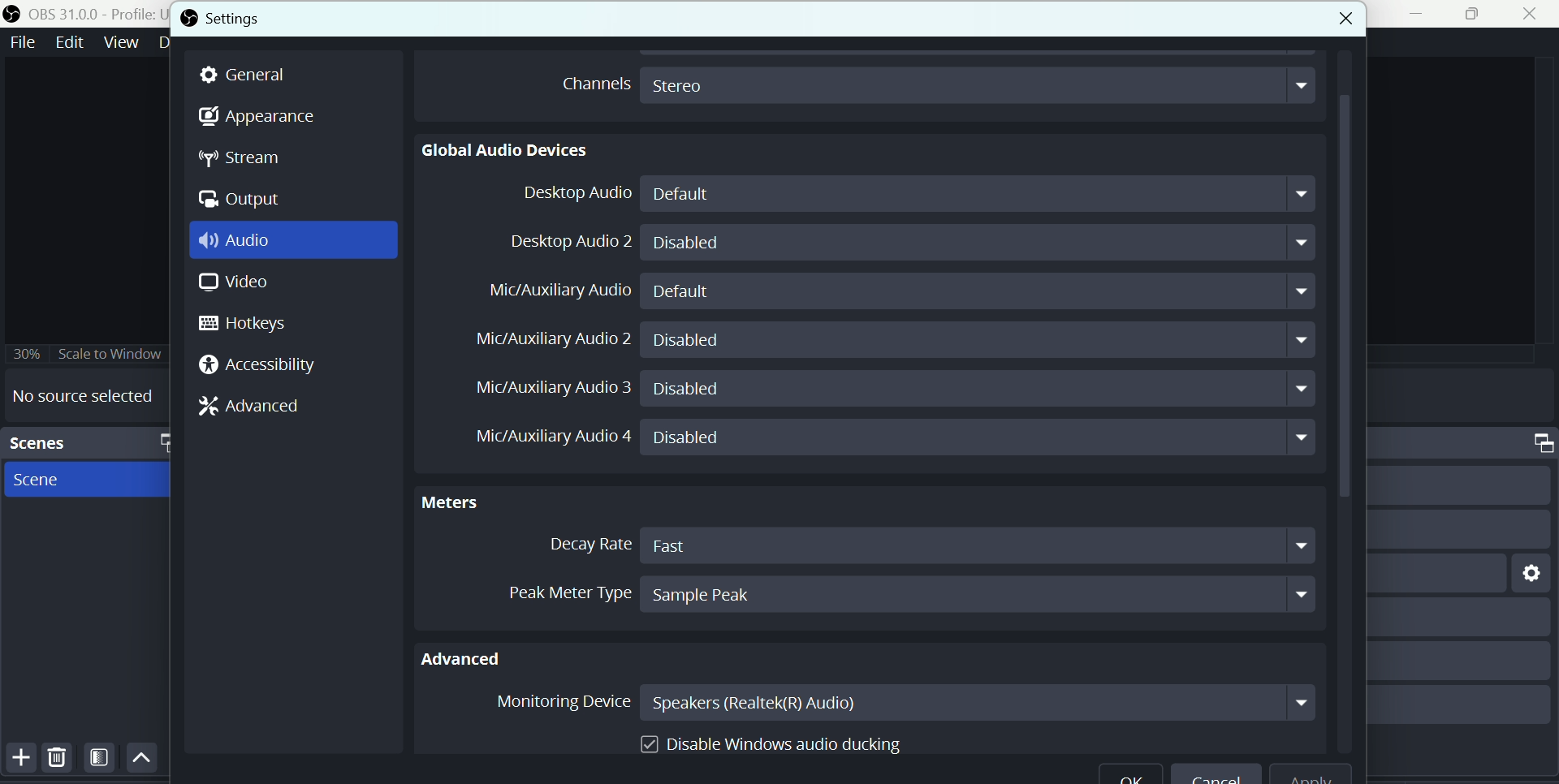 Image resolution: width=1559 pixels, height=784 pixels. I want to click on Settings, so click(261, 18).